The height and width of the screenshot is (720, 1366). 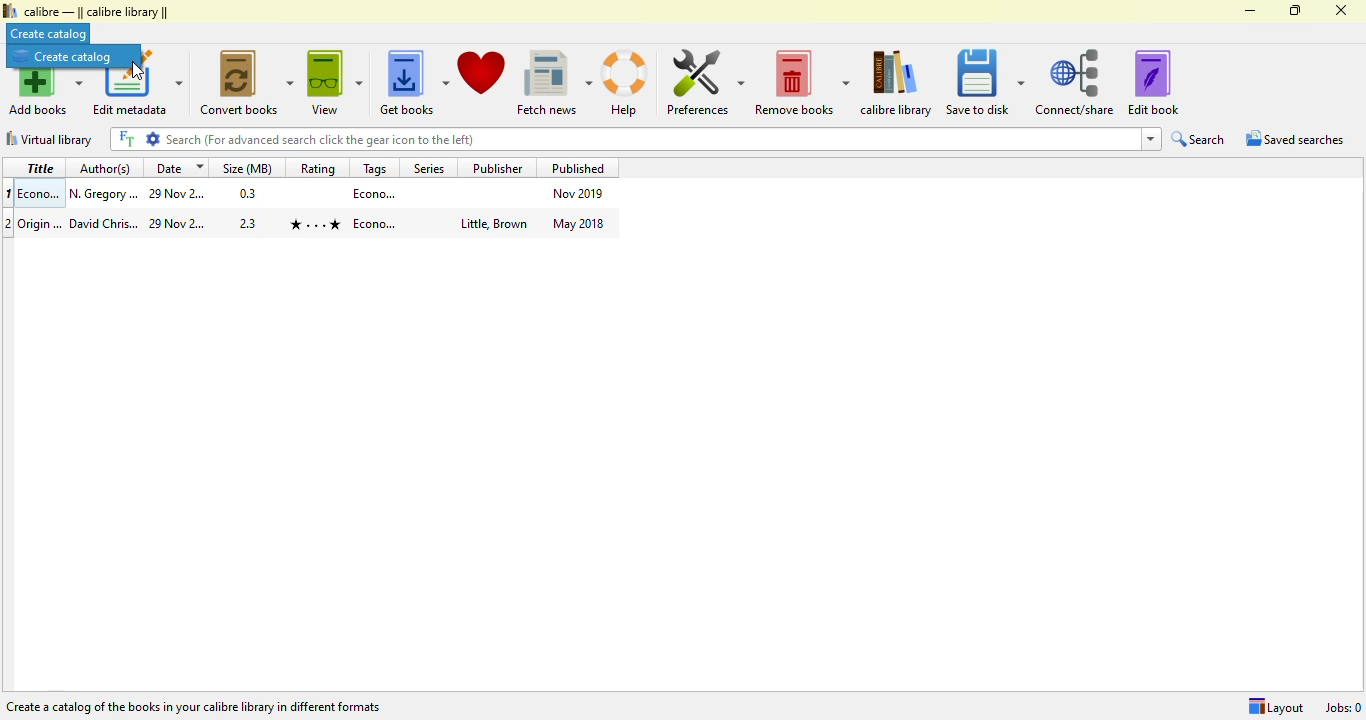 What do you see at coordinates (245, 82) in the screenshot?
I see `convert books` at bounding box center [245, 82].